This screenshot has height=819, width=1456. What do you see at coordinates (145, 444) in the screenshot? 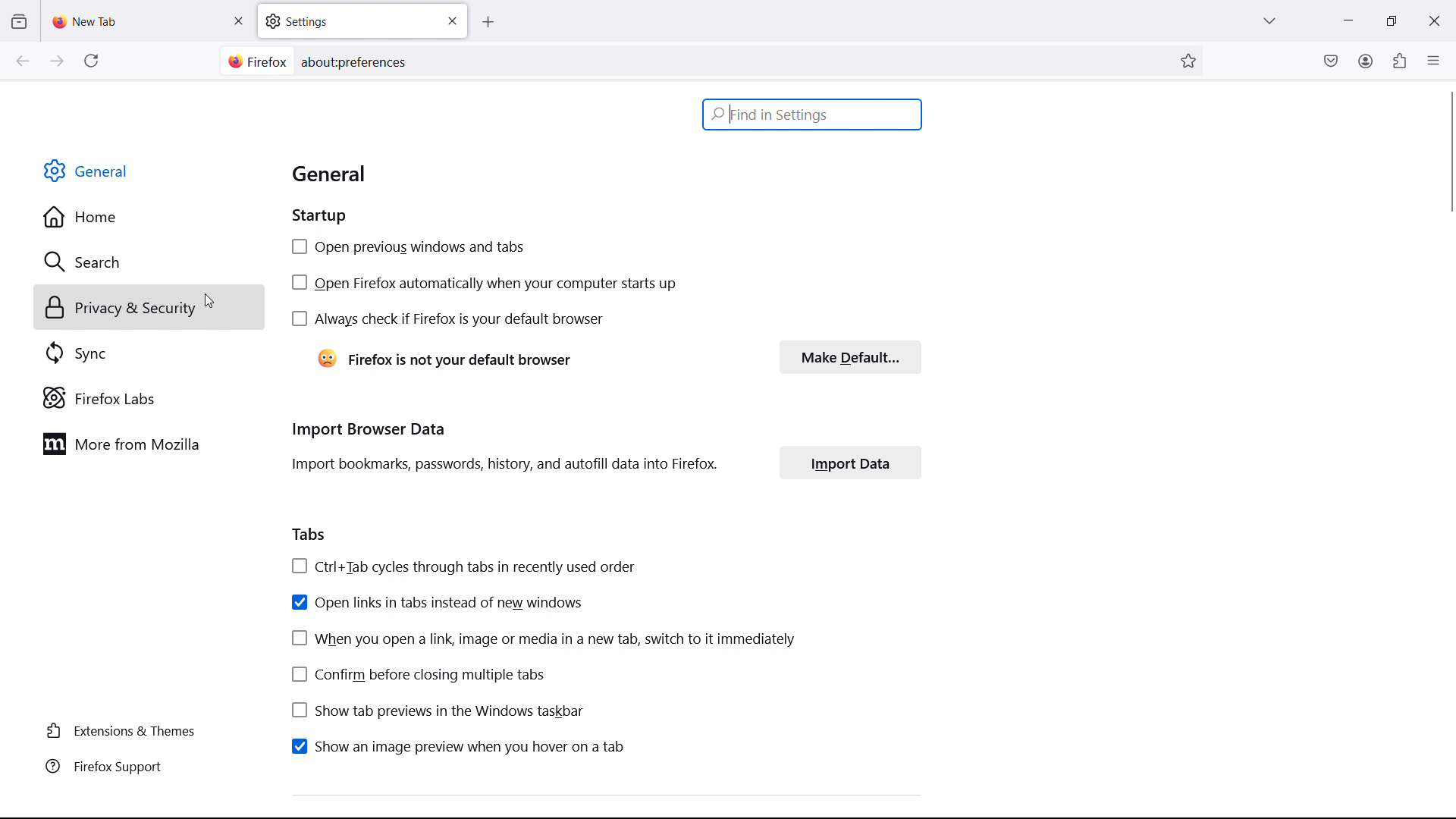
I see `more from mozilla` at bounding box center [145, 444].